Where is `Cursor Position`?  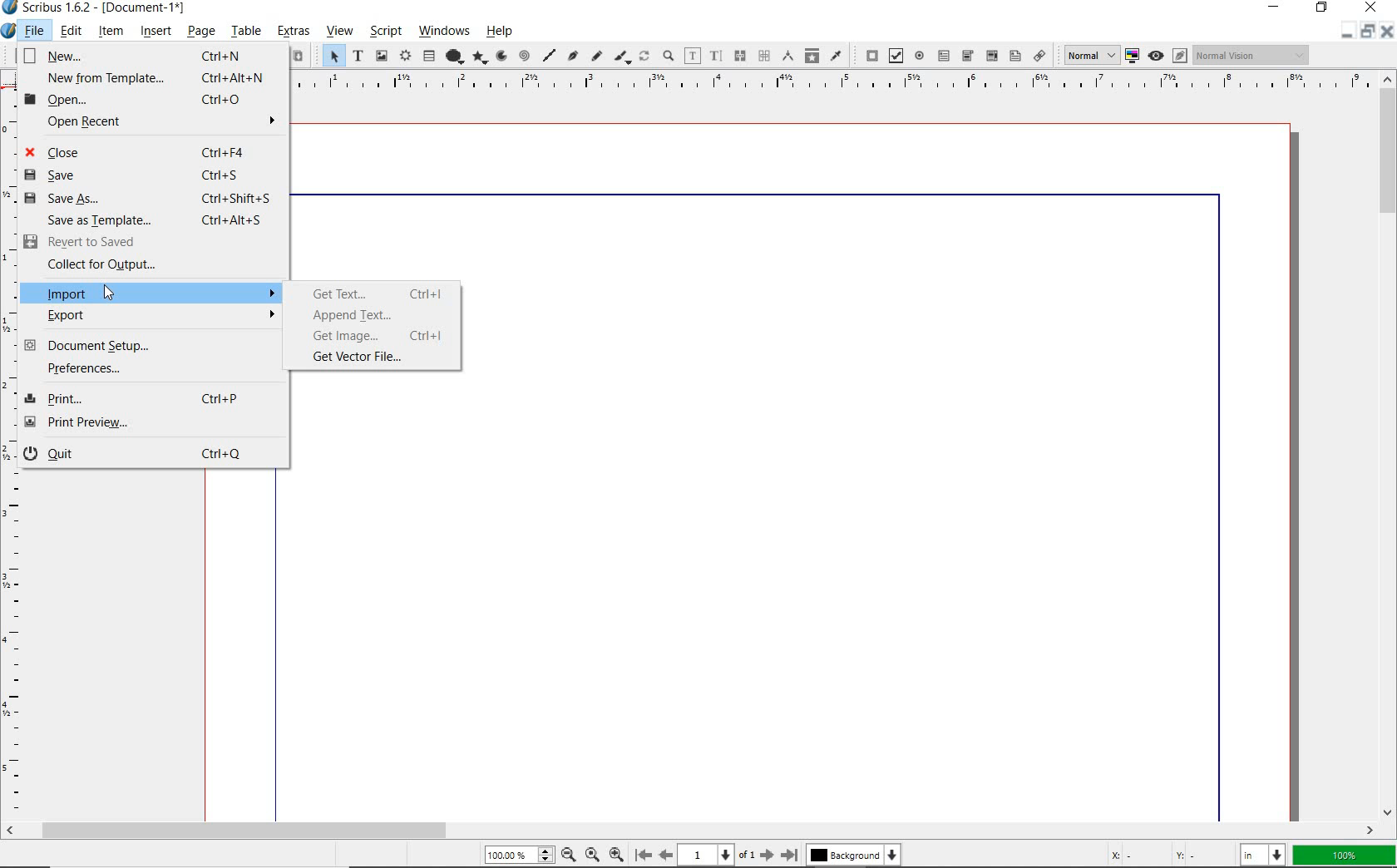
Cursor Position is located at coordinates (107, 293).